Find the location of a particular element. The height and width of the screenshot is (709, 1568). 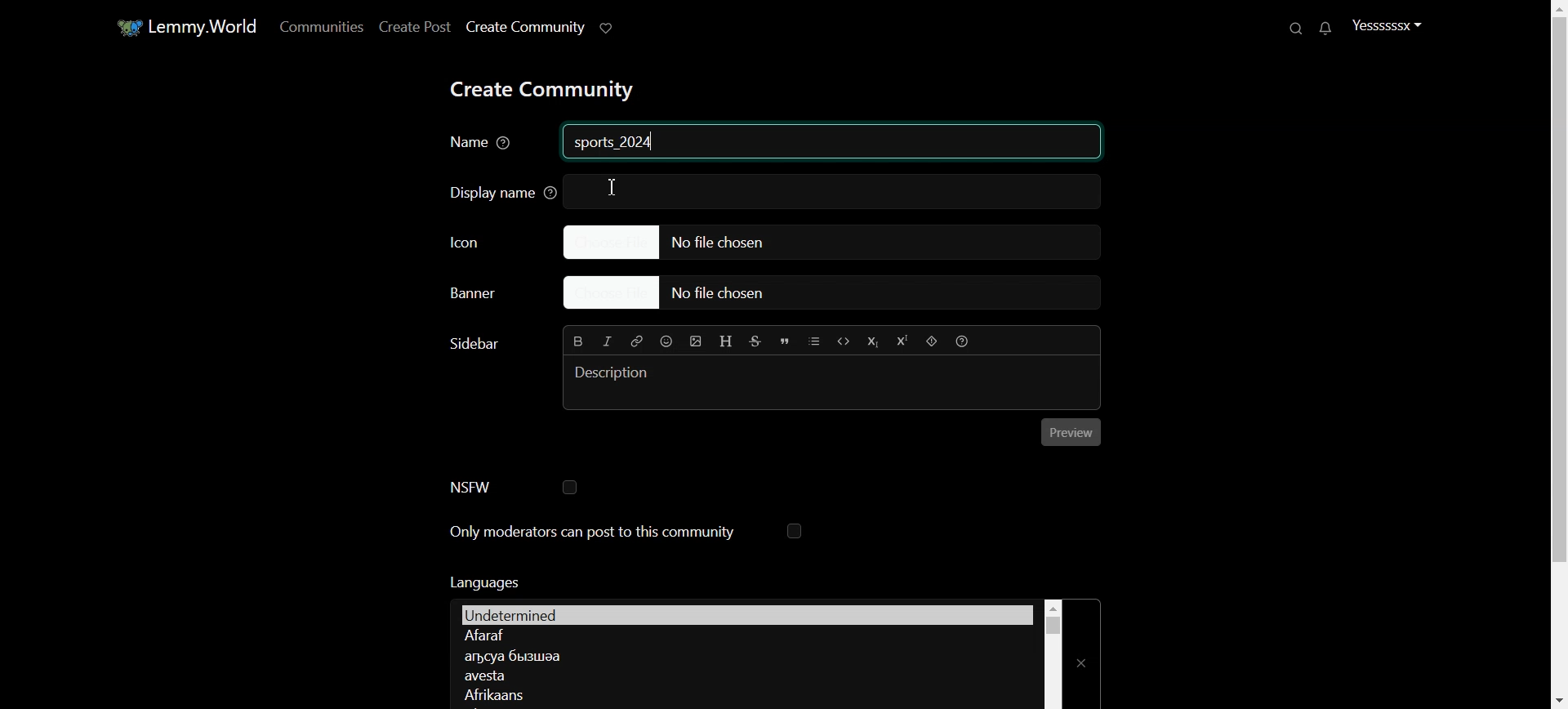

Choose file is located at coordinates (834, 294).